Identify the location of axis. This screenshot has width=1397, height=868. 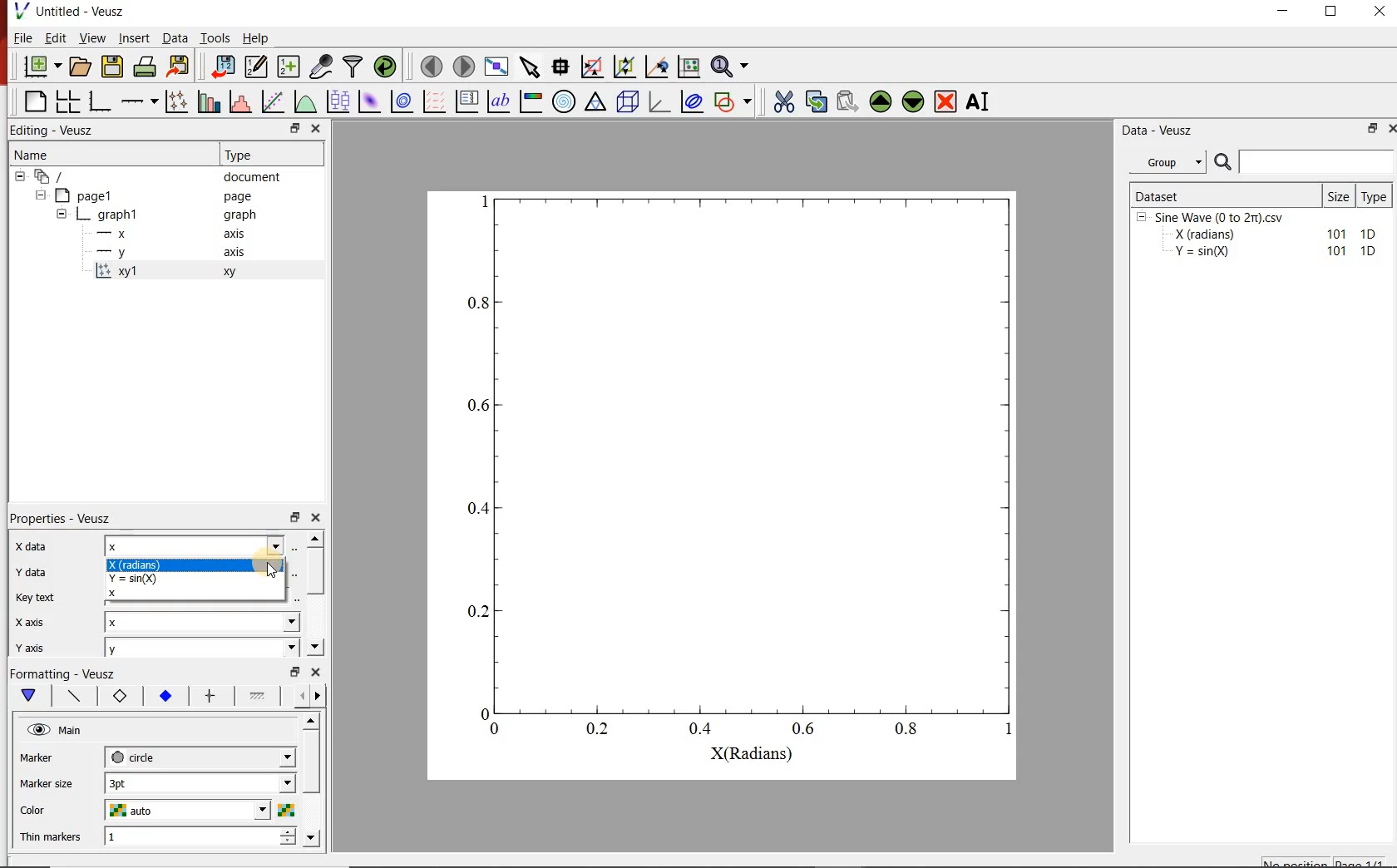
(233, 251).